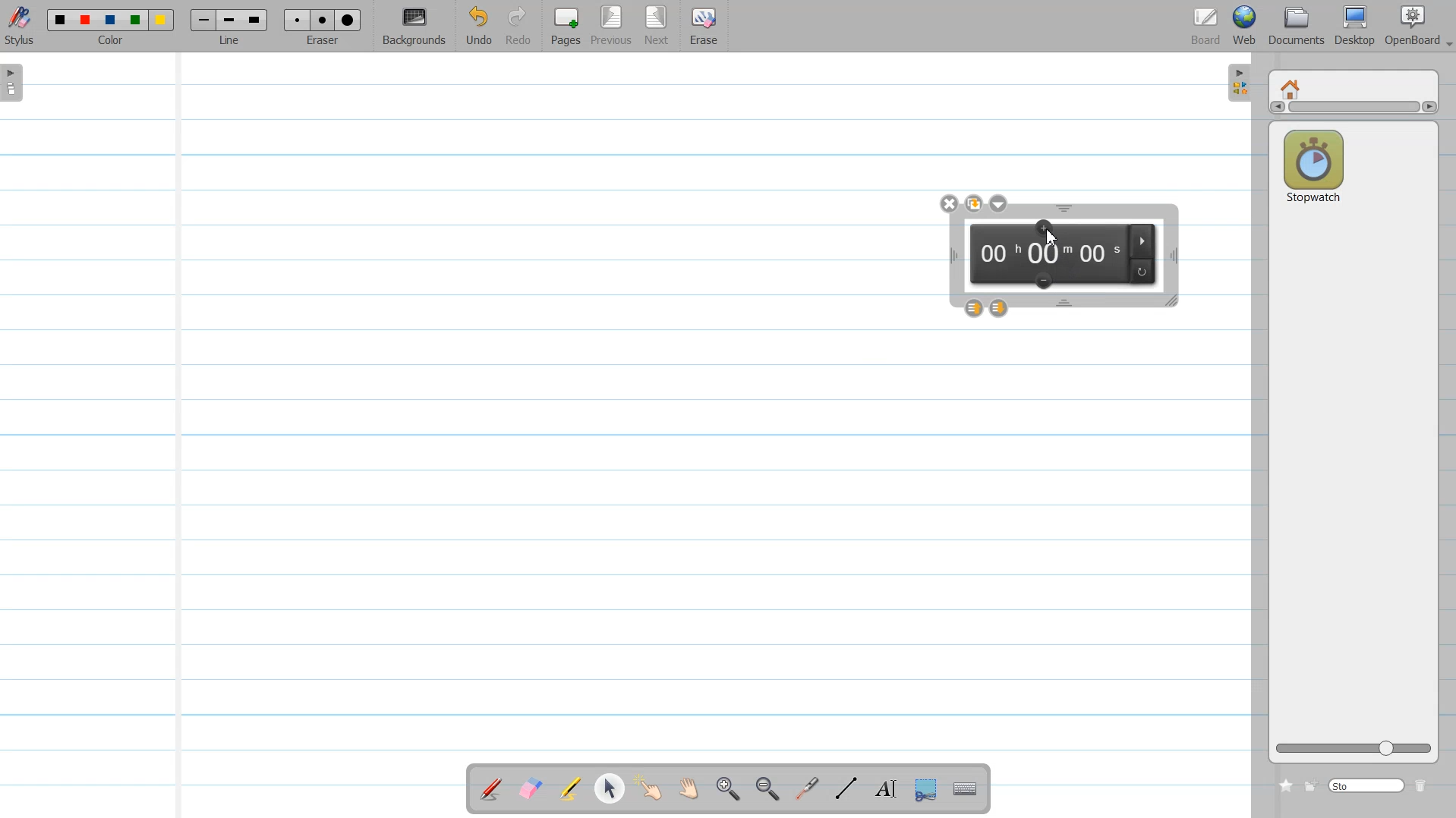 Image resolution: width=1456 pixels, height=818 pixels. What do you see at coordinates (1001, 307) in the screenshot?
I see `Layer down` at bounding box center [1001, 307].